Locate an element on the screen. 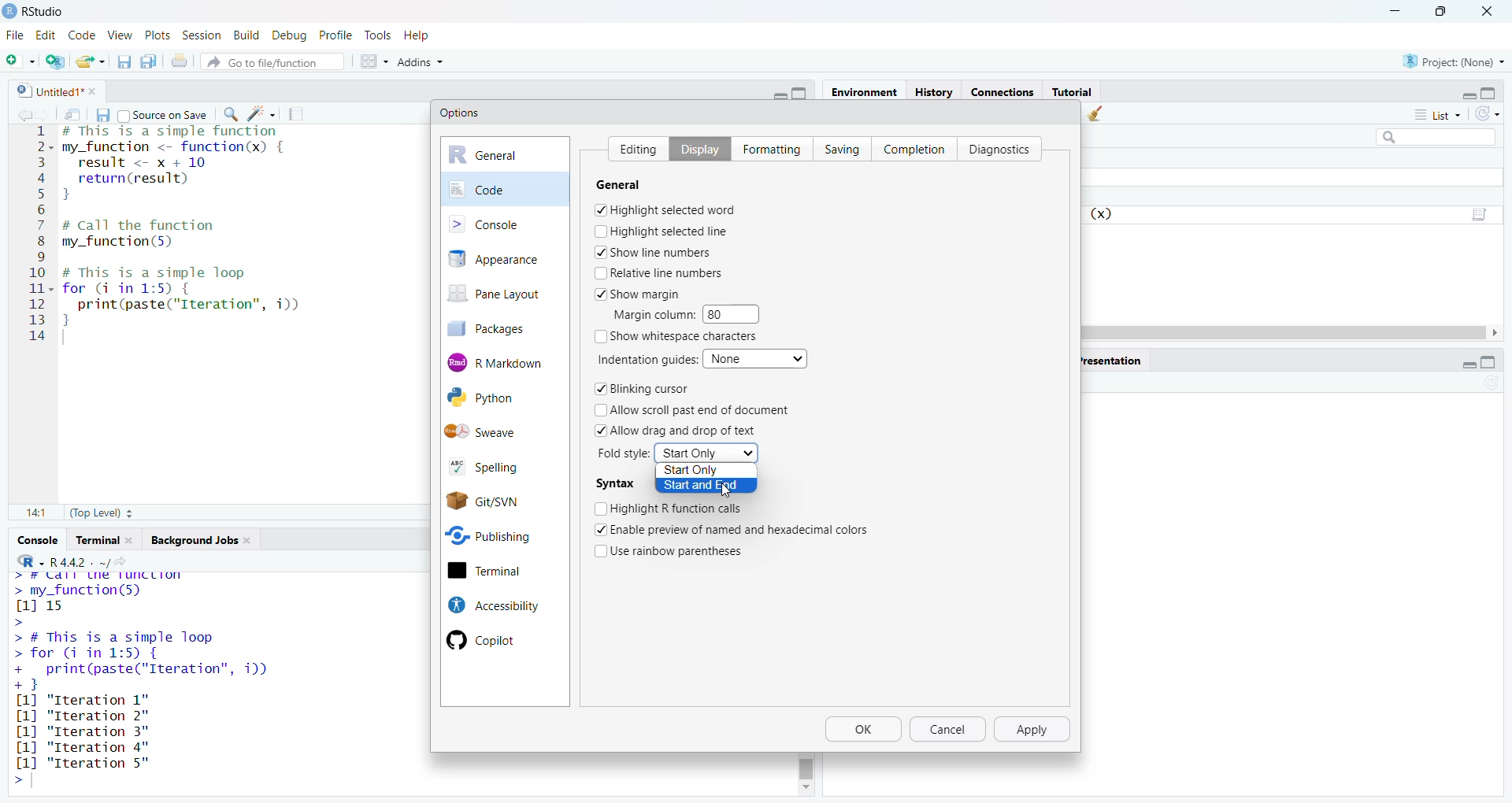 This screenshot has width=1512, height=803. prompt cursor is located at coordinates (16, 781).